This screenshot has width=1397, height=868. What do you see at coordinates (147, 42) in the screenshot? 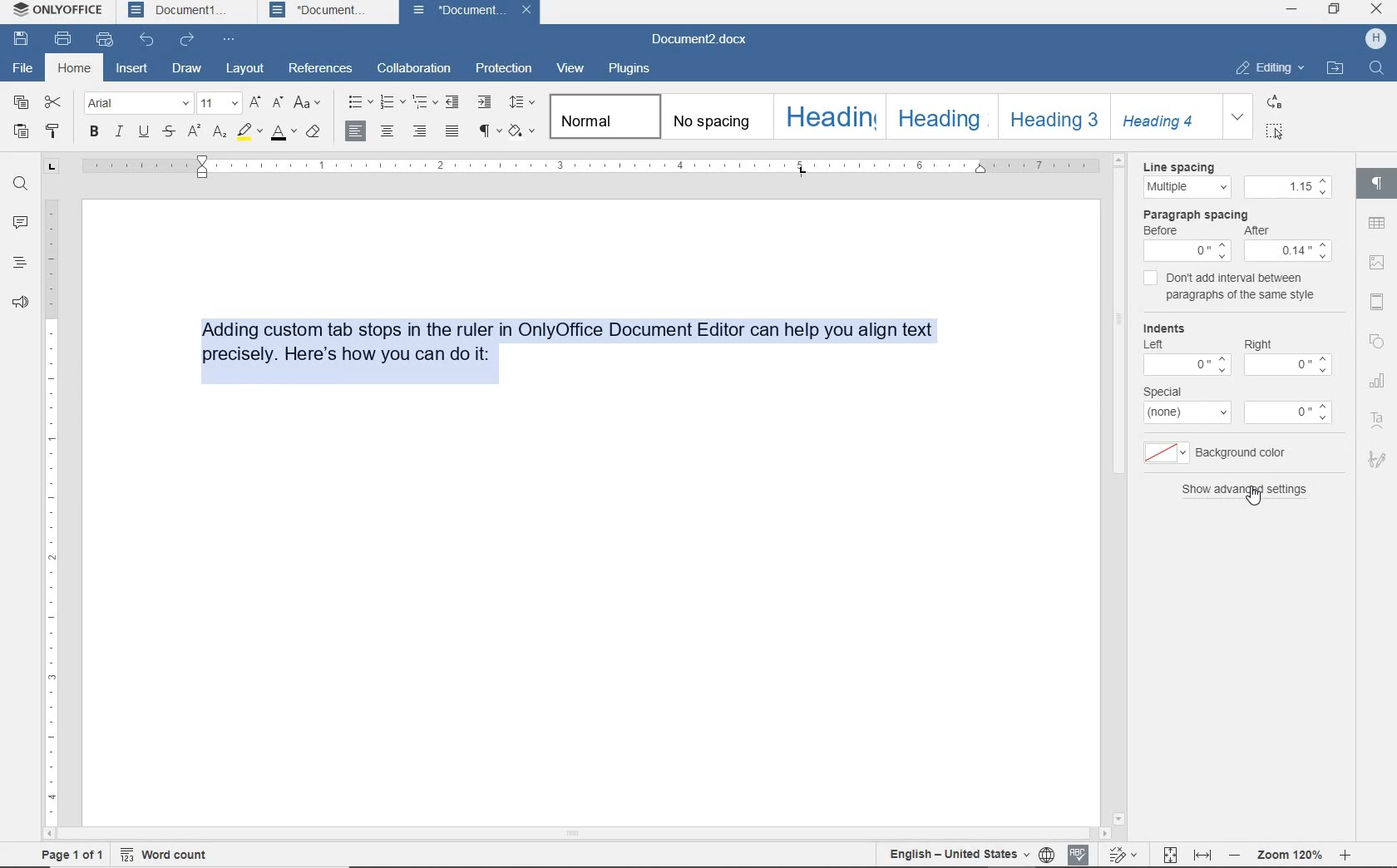
I see `undo` at bounding box center [147, 42].